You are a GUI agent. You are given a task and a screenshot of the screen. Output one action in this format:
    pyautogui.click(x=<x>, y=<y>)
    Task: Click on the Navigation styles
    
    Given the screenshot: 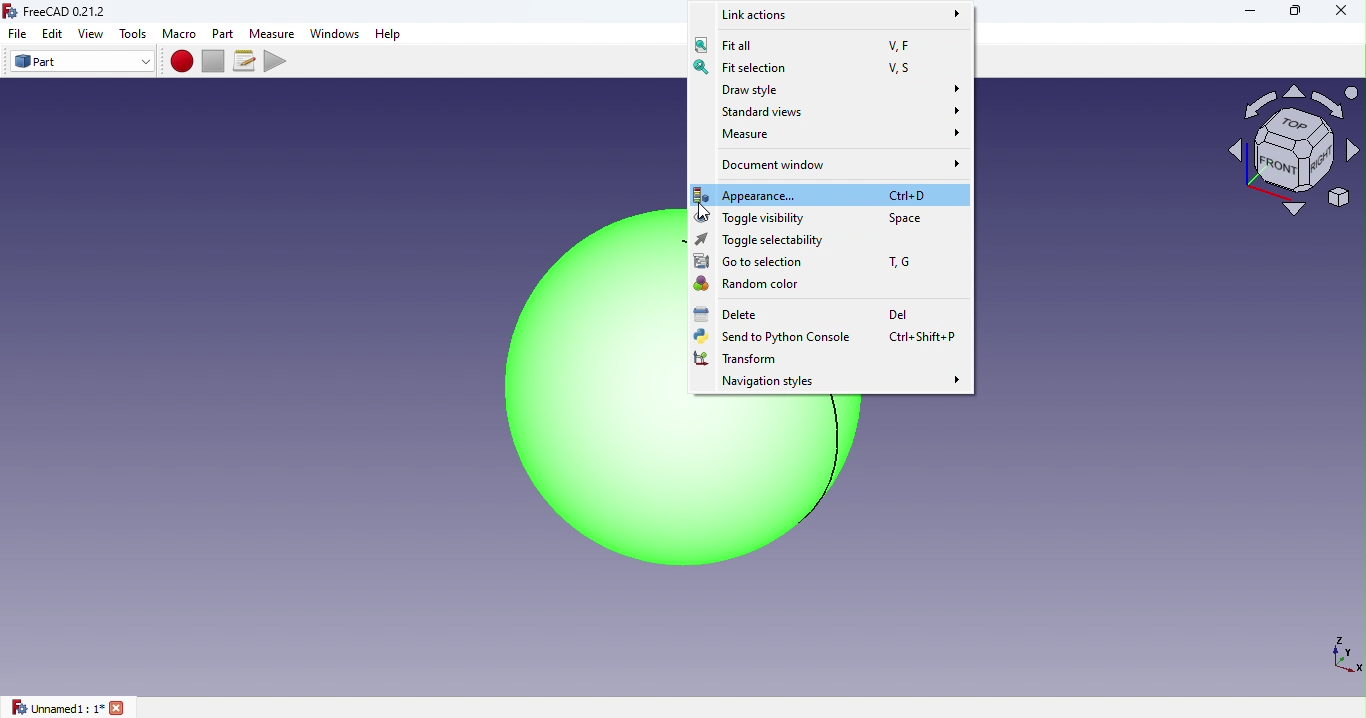 What is the action you would take?
    pyautogui.click(x=837, y=383)
    